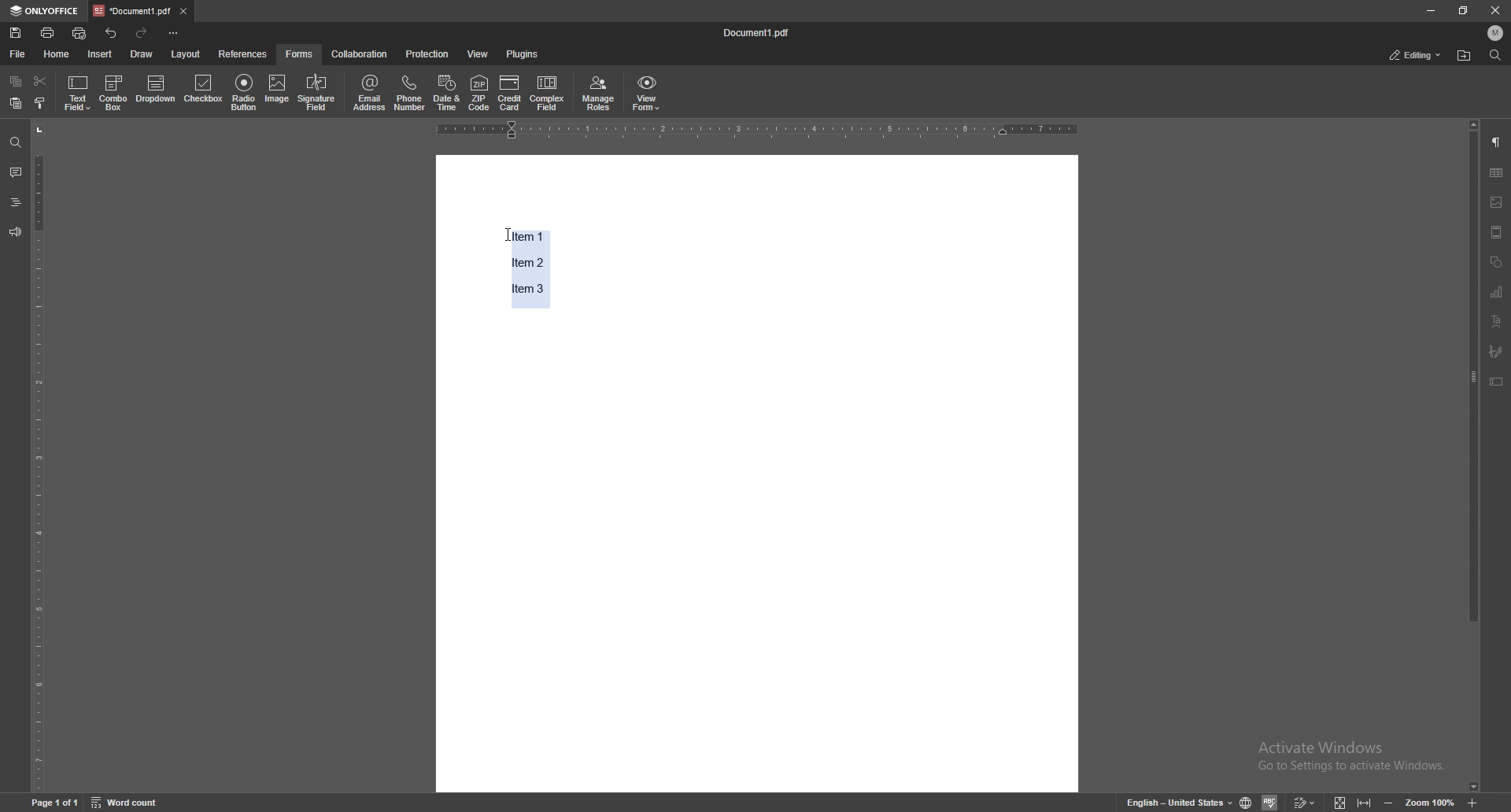 The height and width of the screenshot is (812, 1511). Describe the element at coordinates (1497, 231) in the screenshot. I see `header and footer` at that location.